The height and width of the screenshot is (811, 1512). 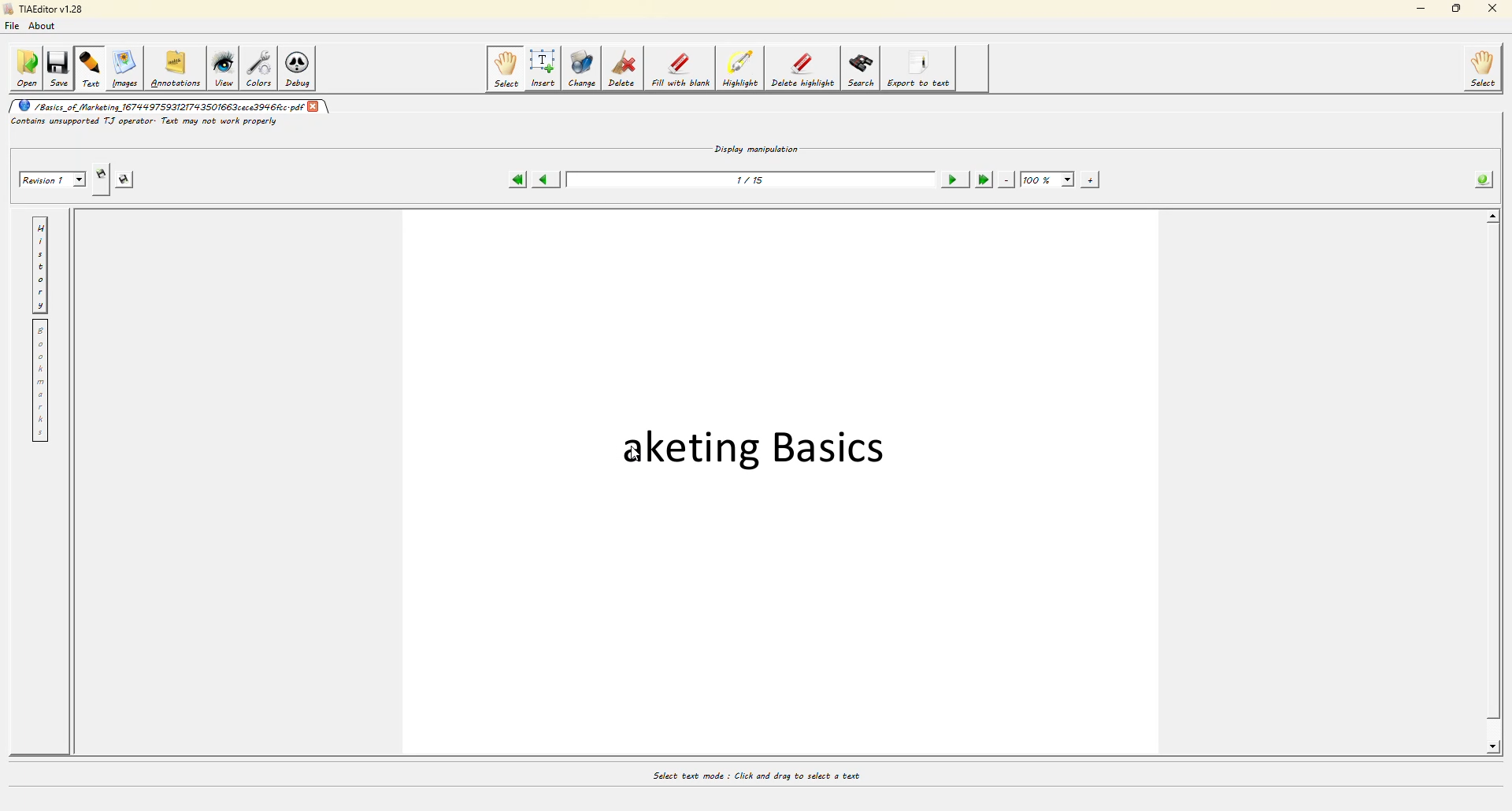 What do you see at coordinates (755, 150) in the screenshot?
I see `display manipulation` at bounding box center [755, 150].